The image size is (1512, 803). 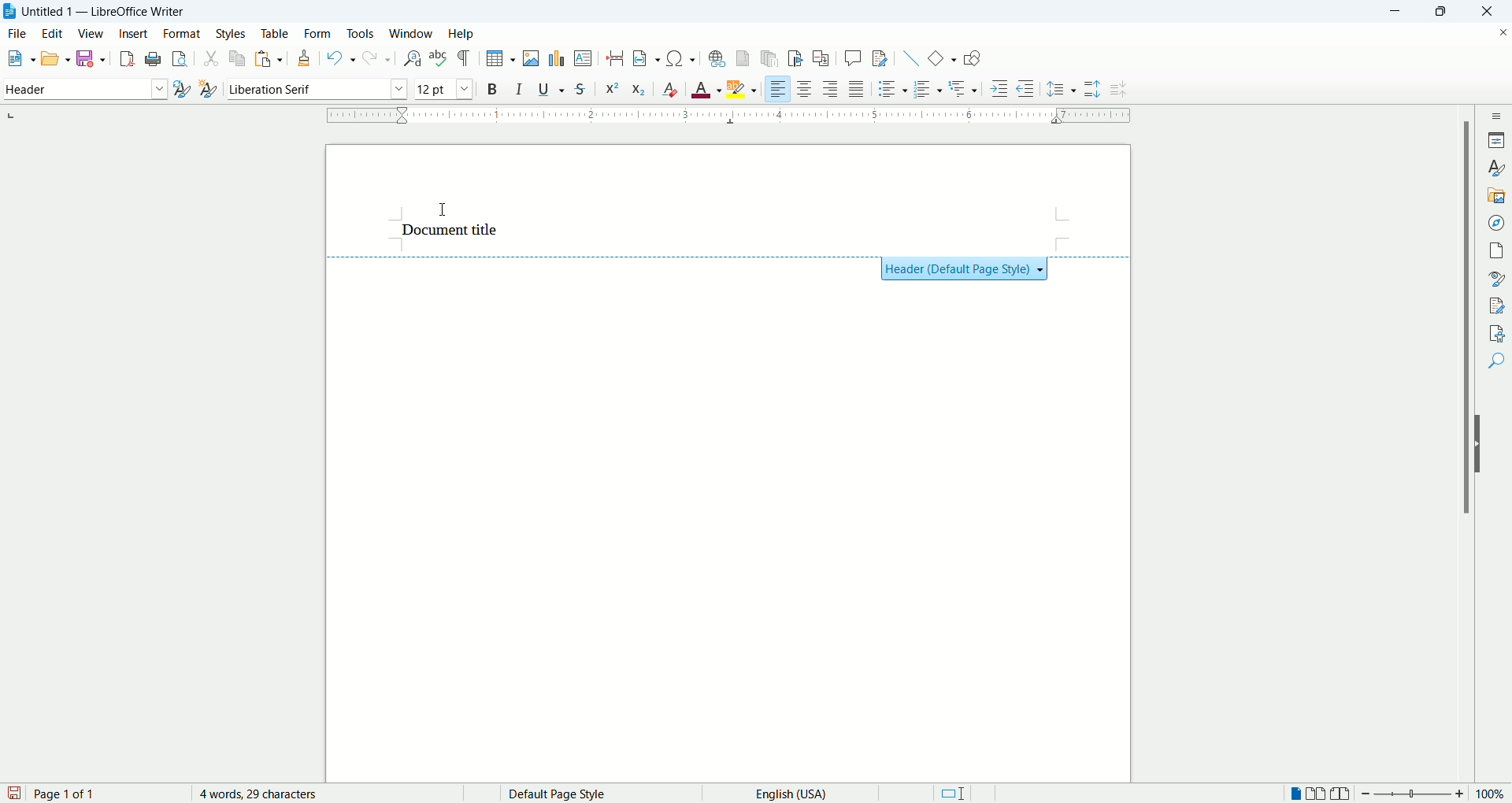 What do you see at coordinates (268, 59) in the screenshot?
I see `paste` at bounding box center [268, 59].